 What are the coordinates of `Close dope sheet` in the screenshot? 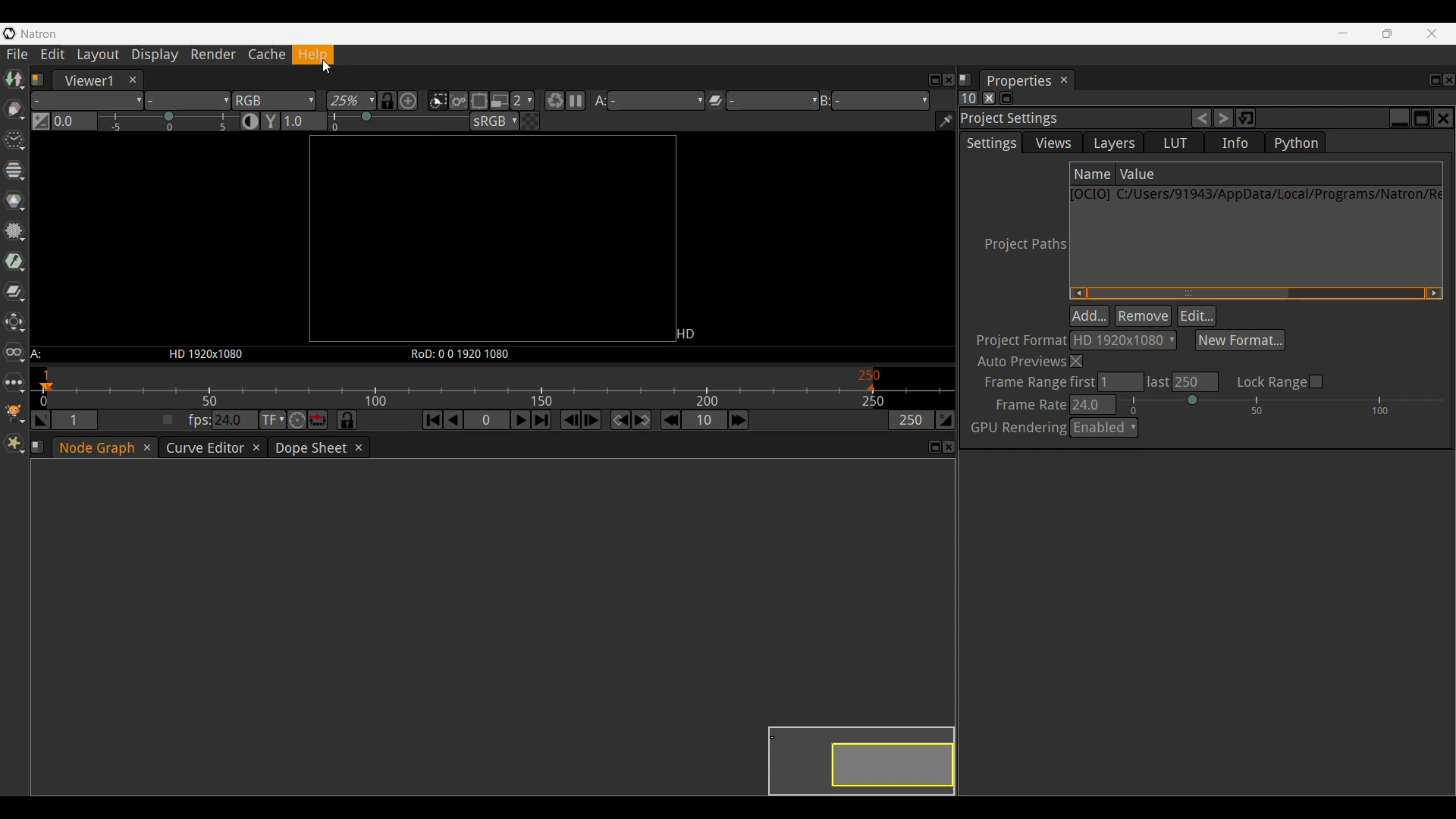 It's located at (358, 448).